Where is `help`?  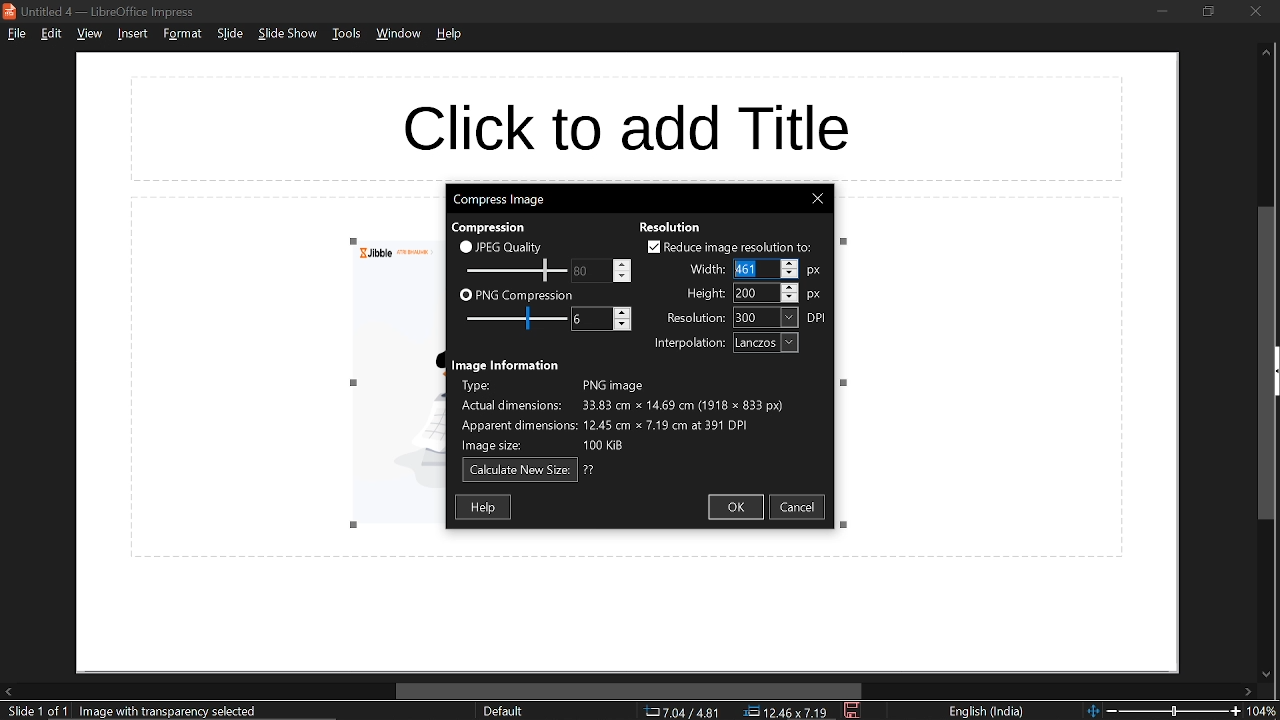
help is located at coordinates (484, 507).